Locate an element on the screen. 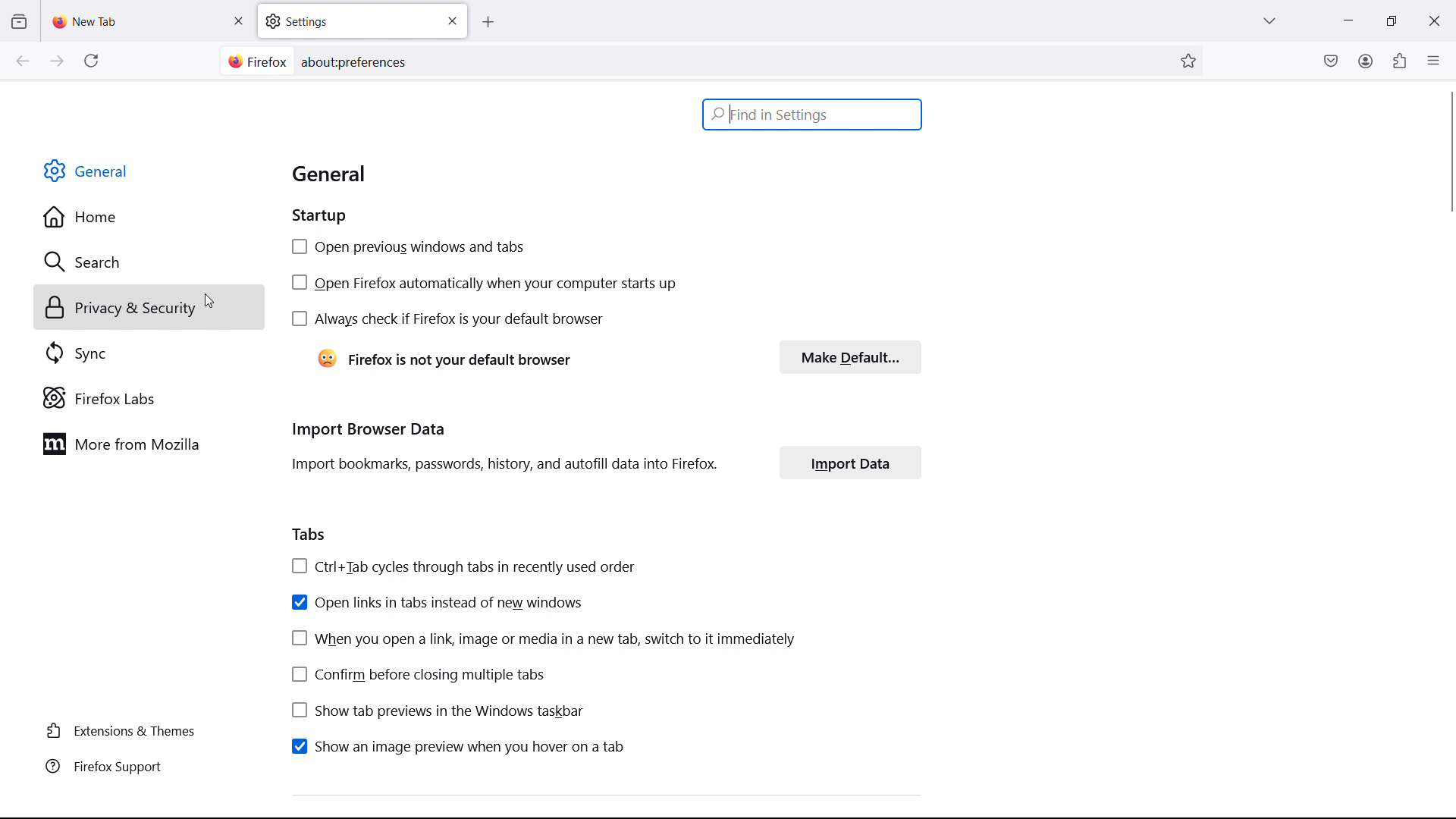 The width and height of the screenshot is (1456, 819). aboutpreferences is located at coordinates (360, 60).